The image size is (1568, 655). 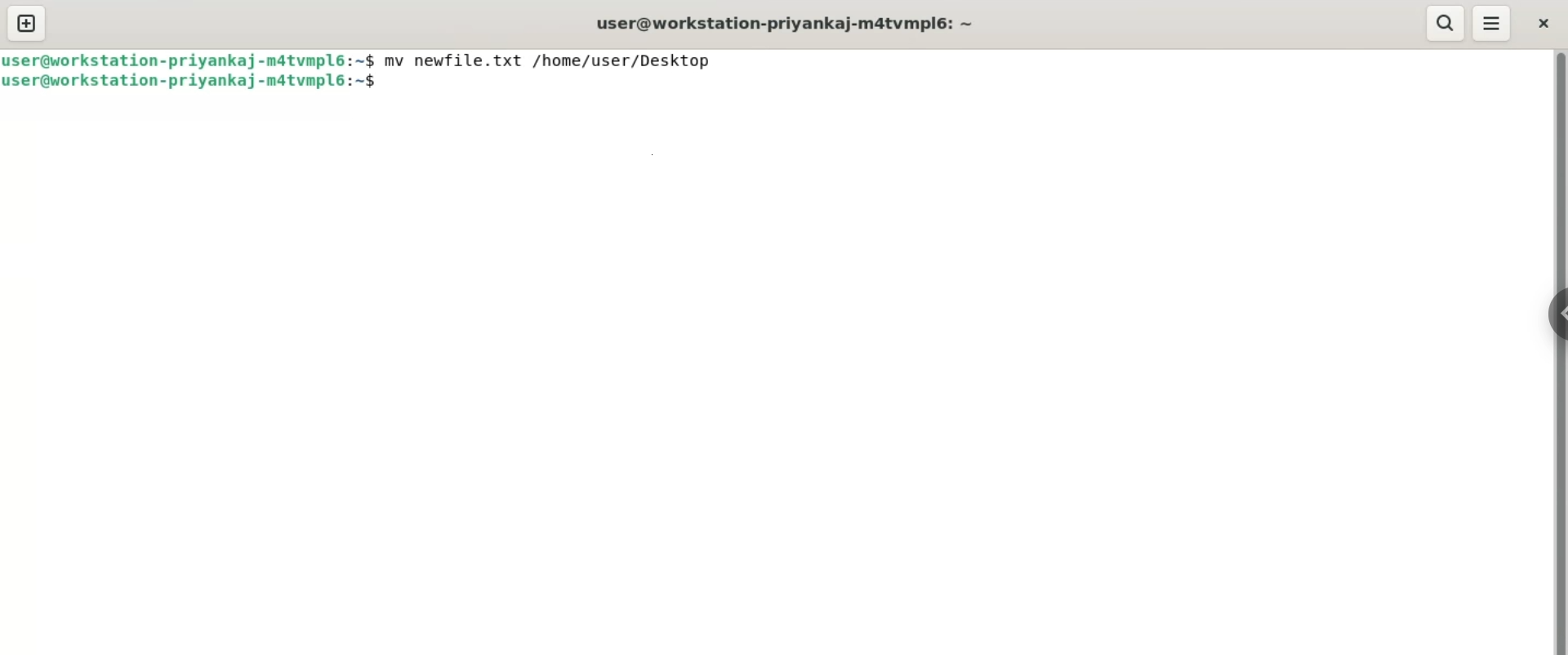 I want to click on new tab, so click(x=25, y=24).